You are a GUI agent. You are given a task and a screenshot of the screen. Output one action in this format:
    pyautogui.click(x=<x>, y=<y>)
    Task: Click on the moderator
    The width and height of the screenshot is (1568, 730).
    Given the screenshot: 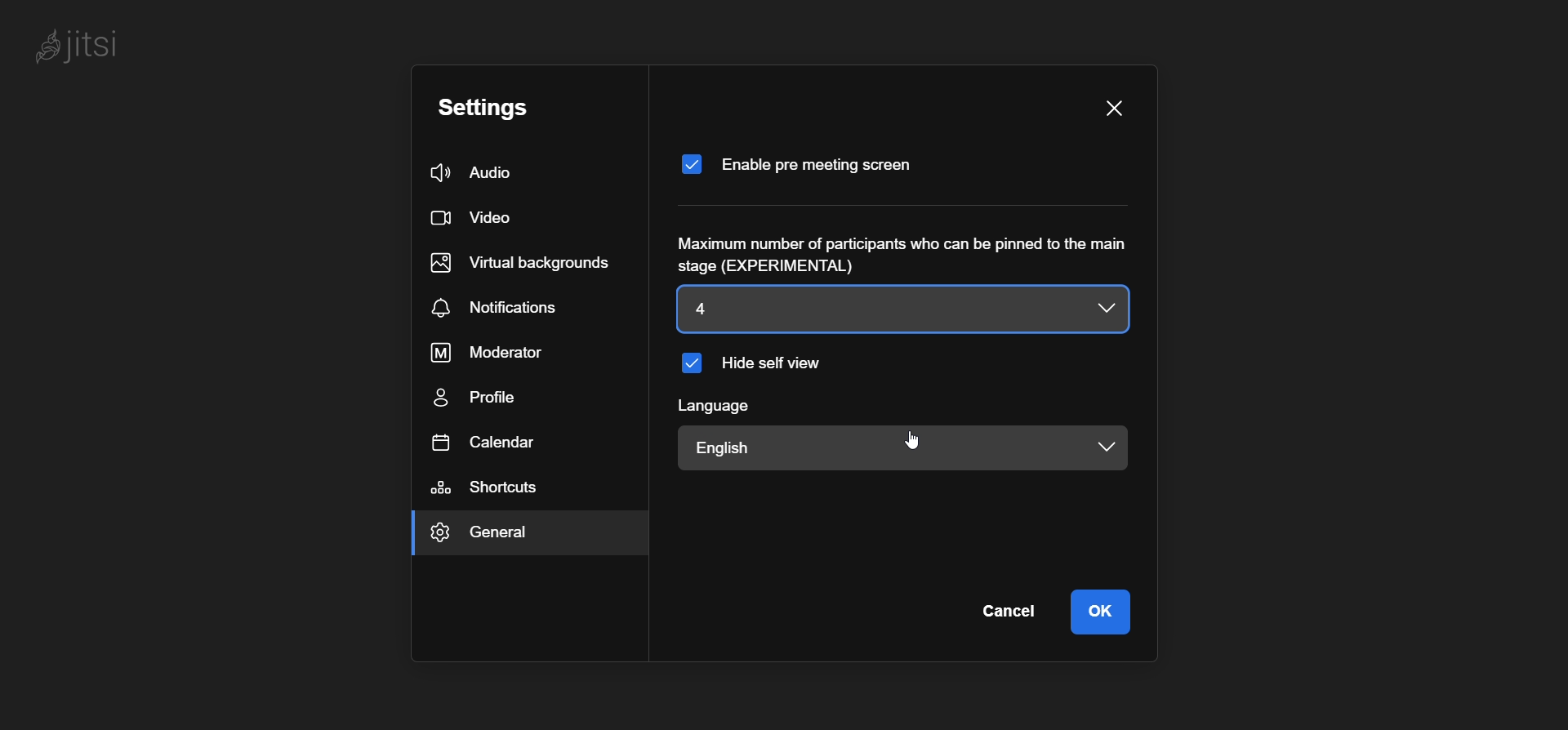 What is the action you would take?
    pyautogui.click(x=500, y=351)
    